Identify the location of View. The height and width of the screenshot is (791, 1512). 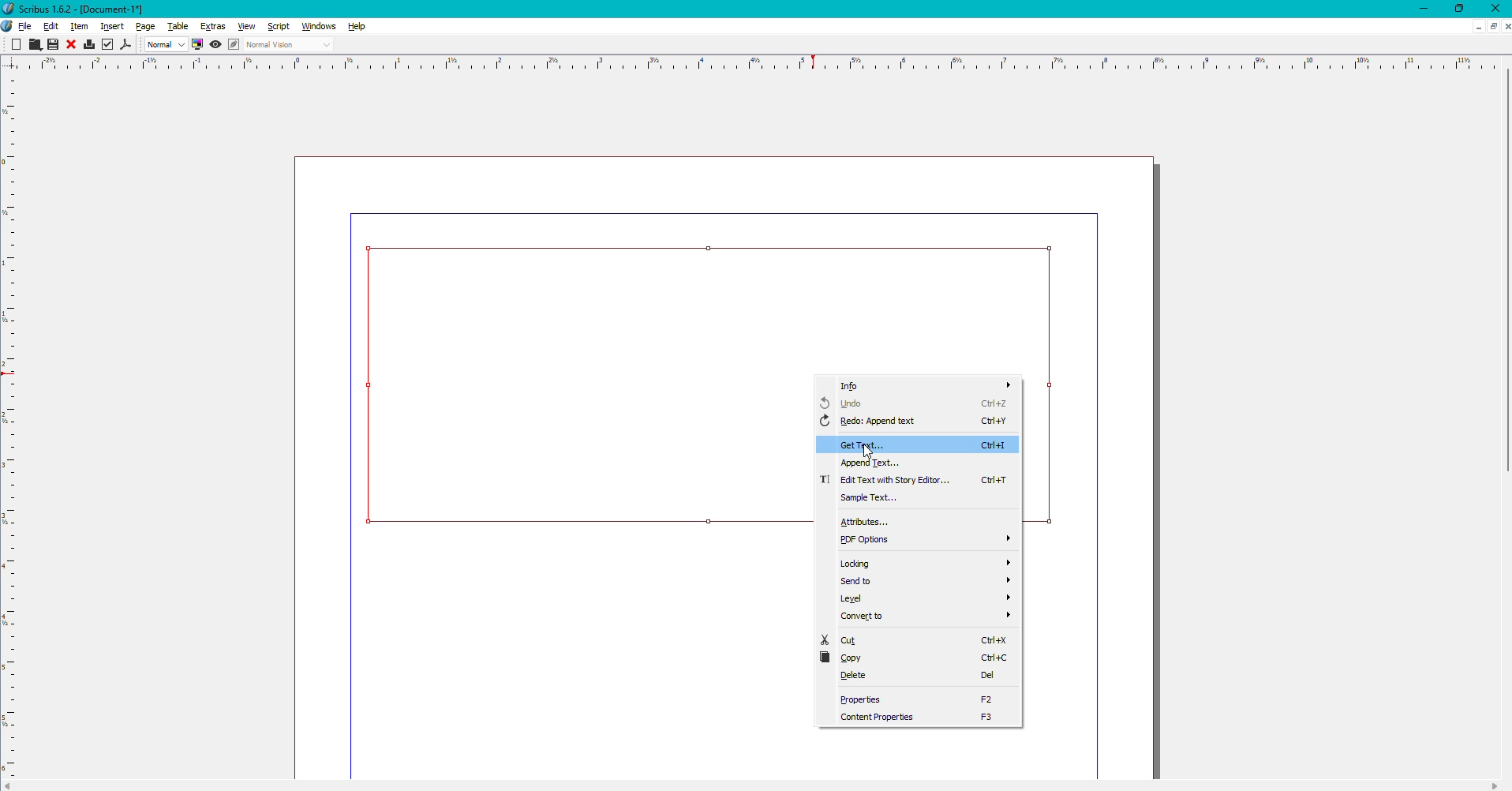
(246, 27).